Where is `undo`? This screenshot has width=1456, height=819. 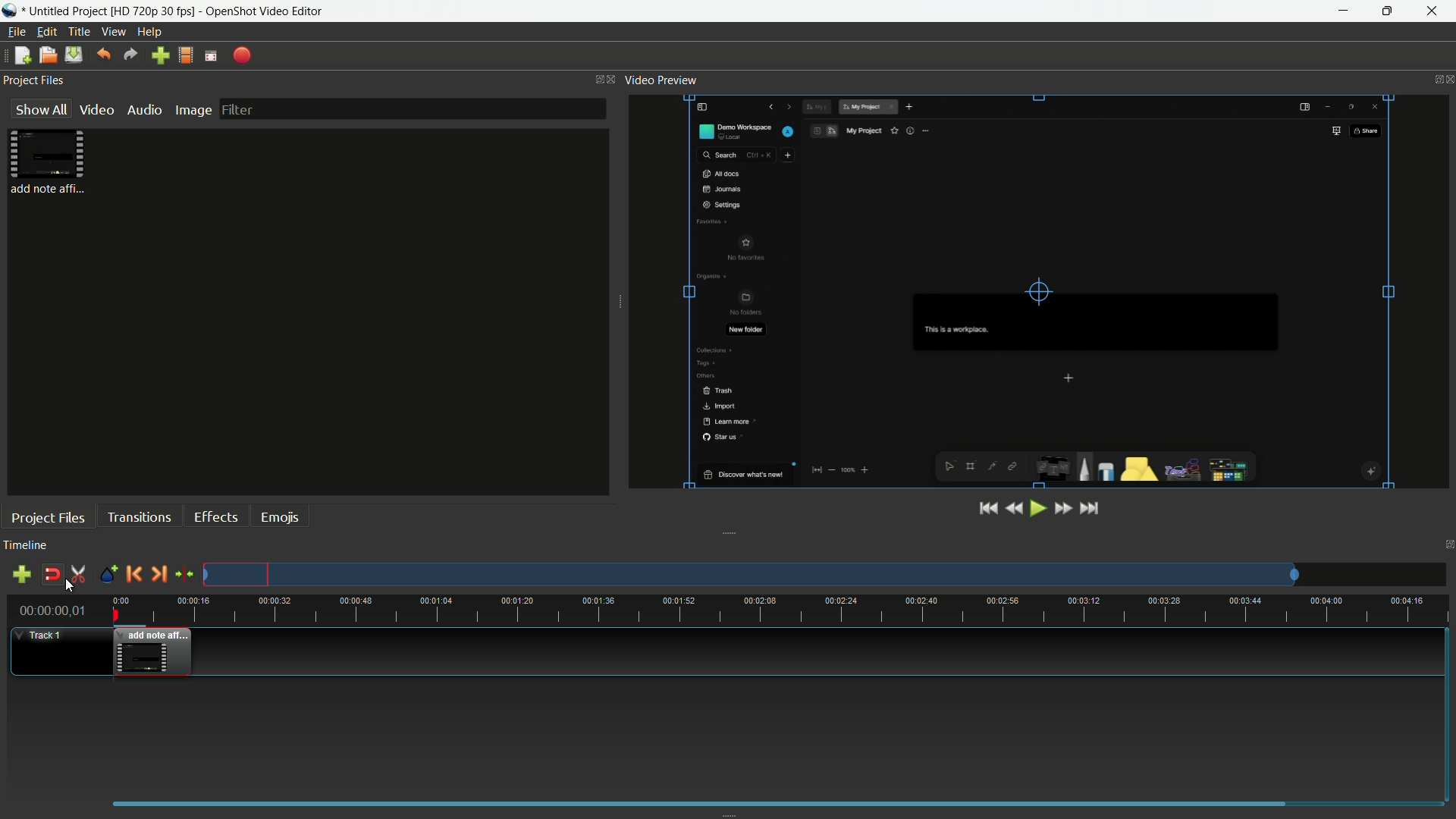 undo is located at coordinates (102, 56).